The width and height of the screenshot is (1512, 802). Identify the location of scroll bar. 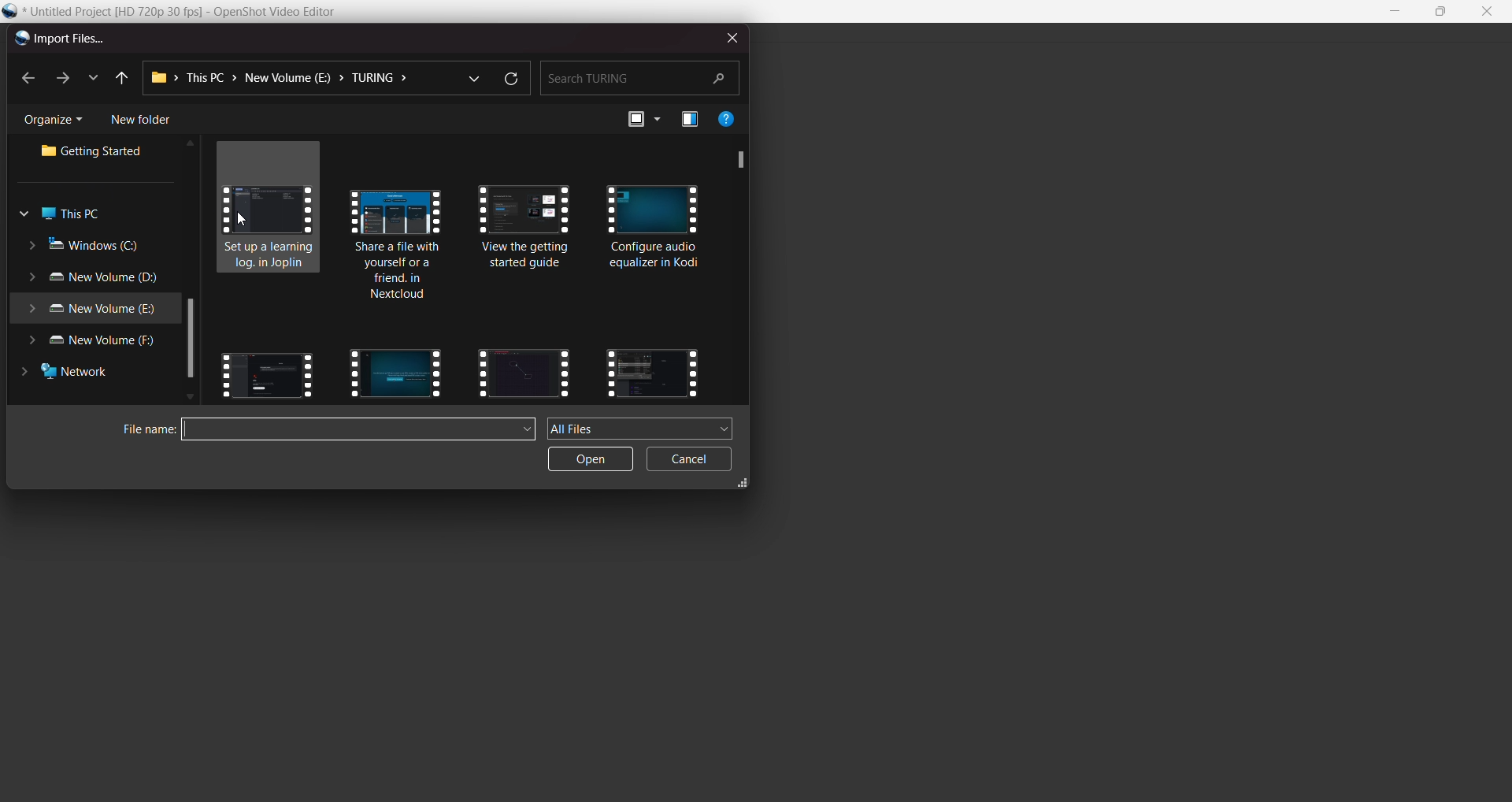
(190, 340).